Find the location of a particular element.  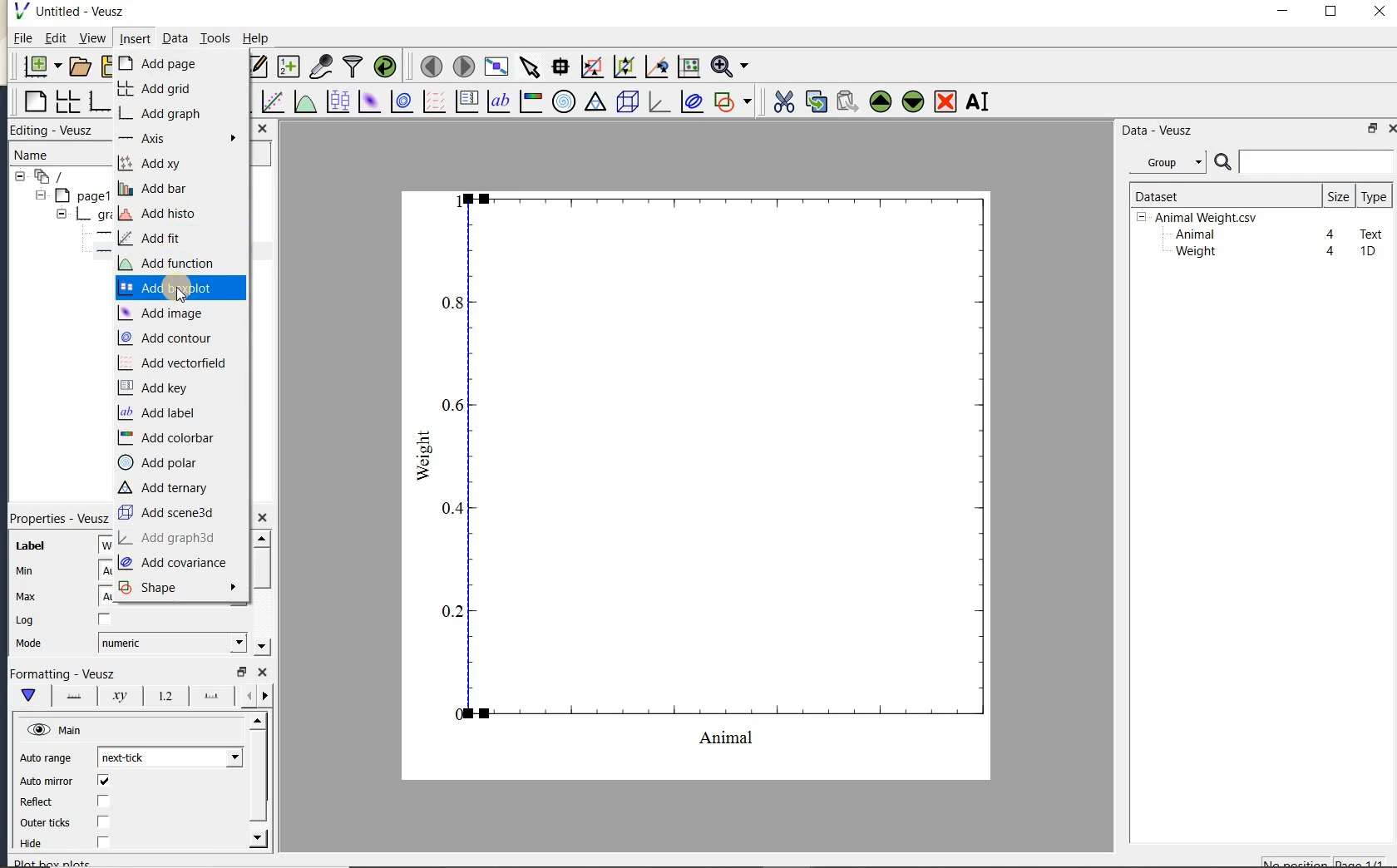

Mode is located at coordinates (28, 644).